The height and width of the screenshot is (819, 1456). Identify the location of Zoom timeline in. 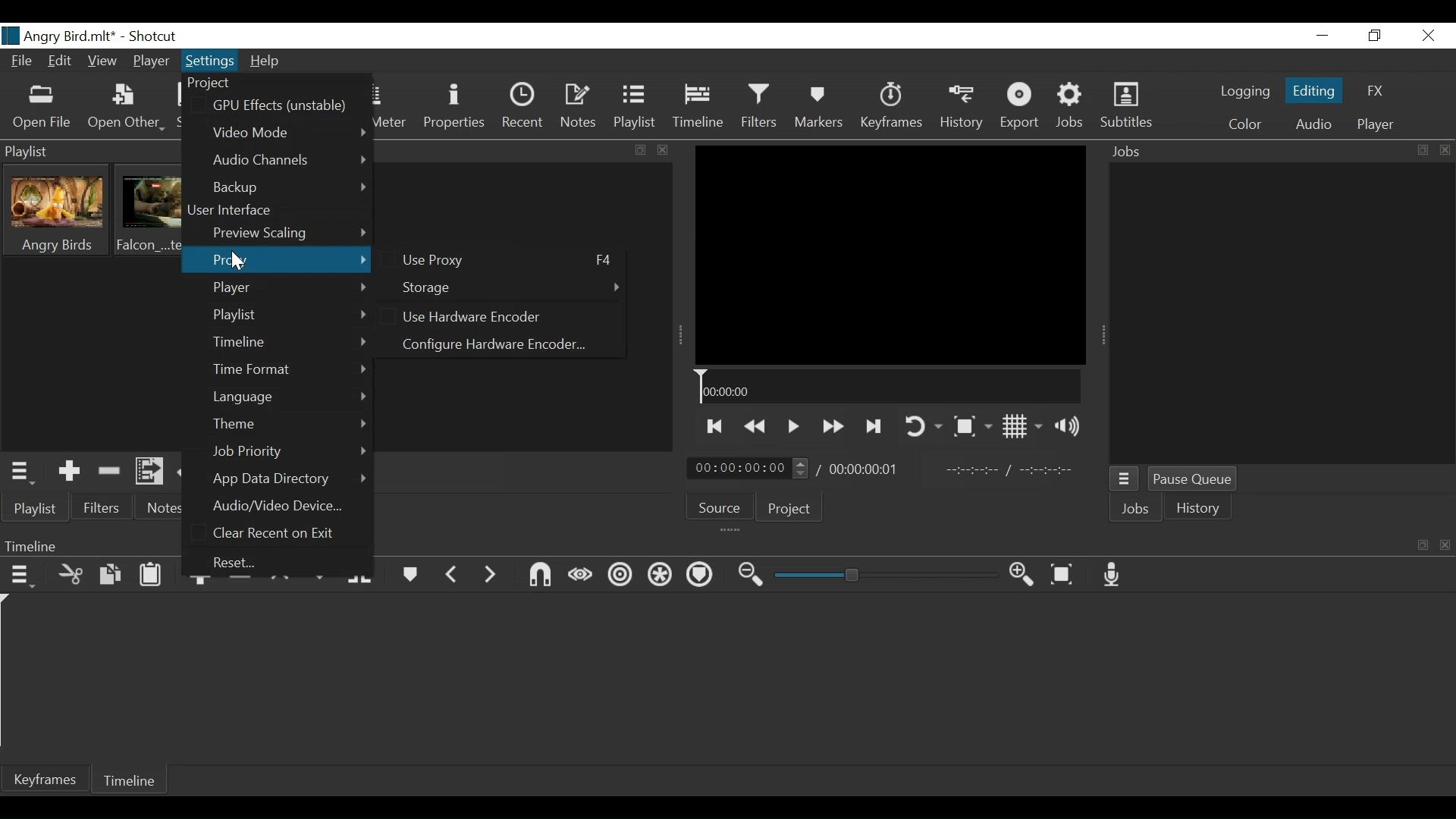
(1018, 574).